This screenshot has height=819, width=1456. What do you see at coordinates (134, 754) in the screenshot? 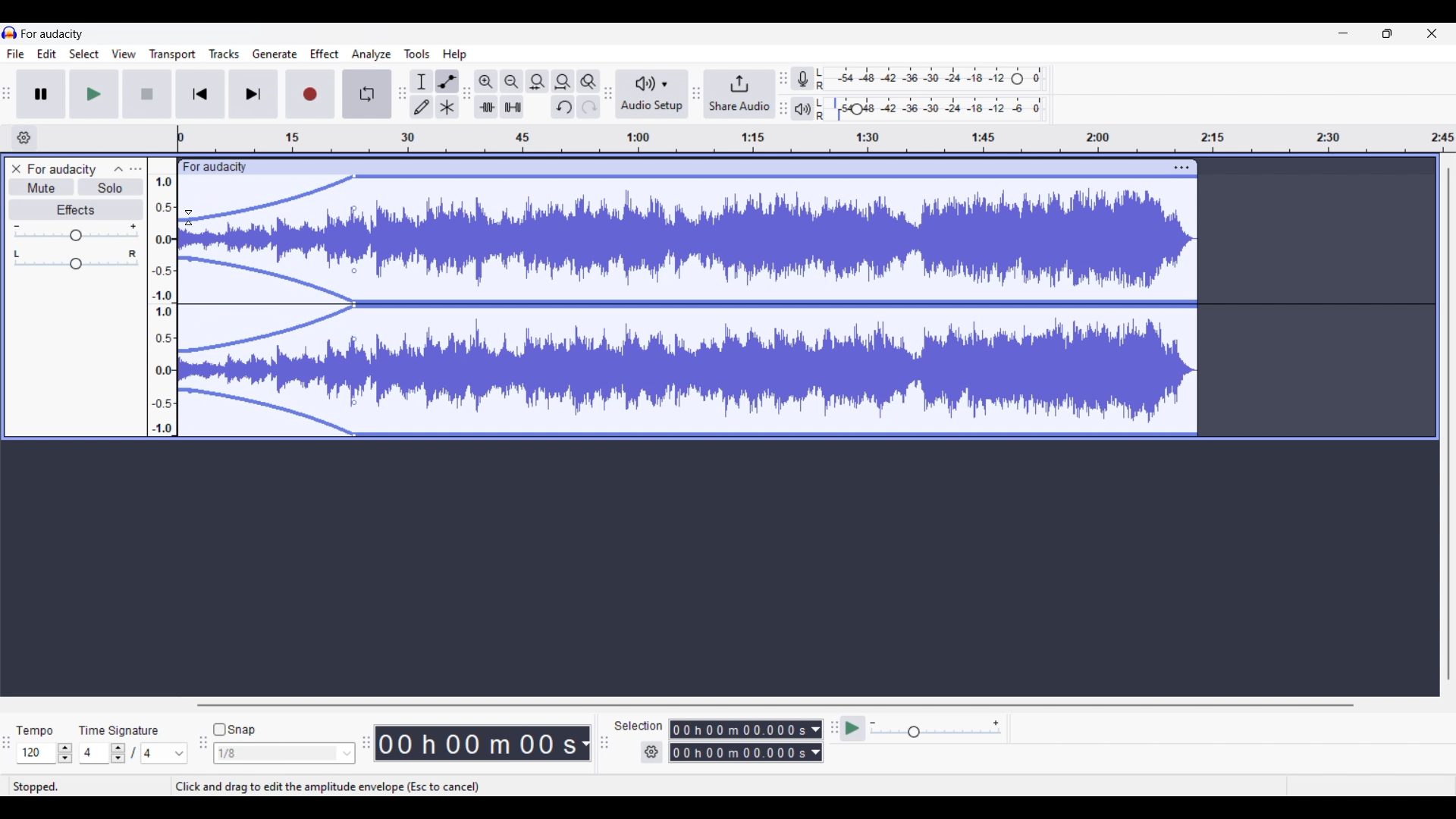
I see `Time signature settings` at bounding box center [134, 754].